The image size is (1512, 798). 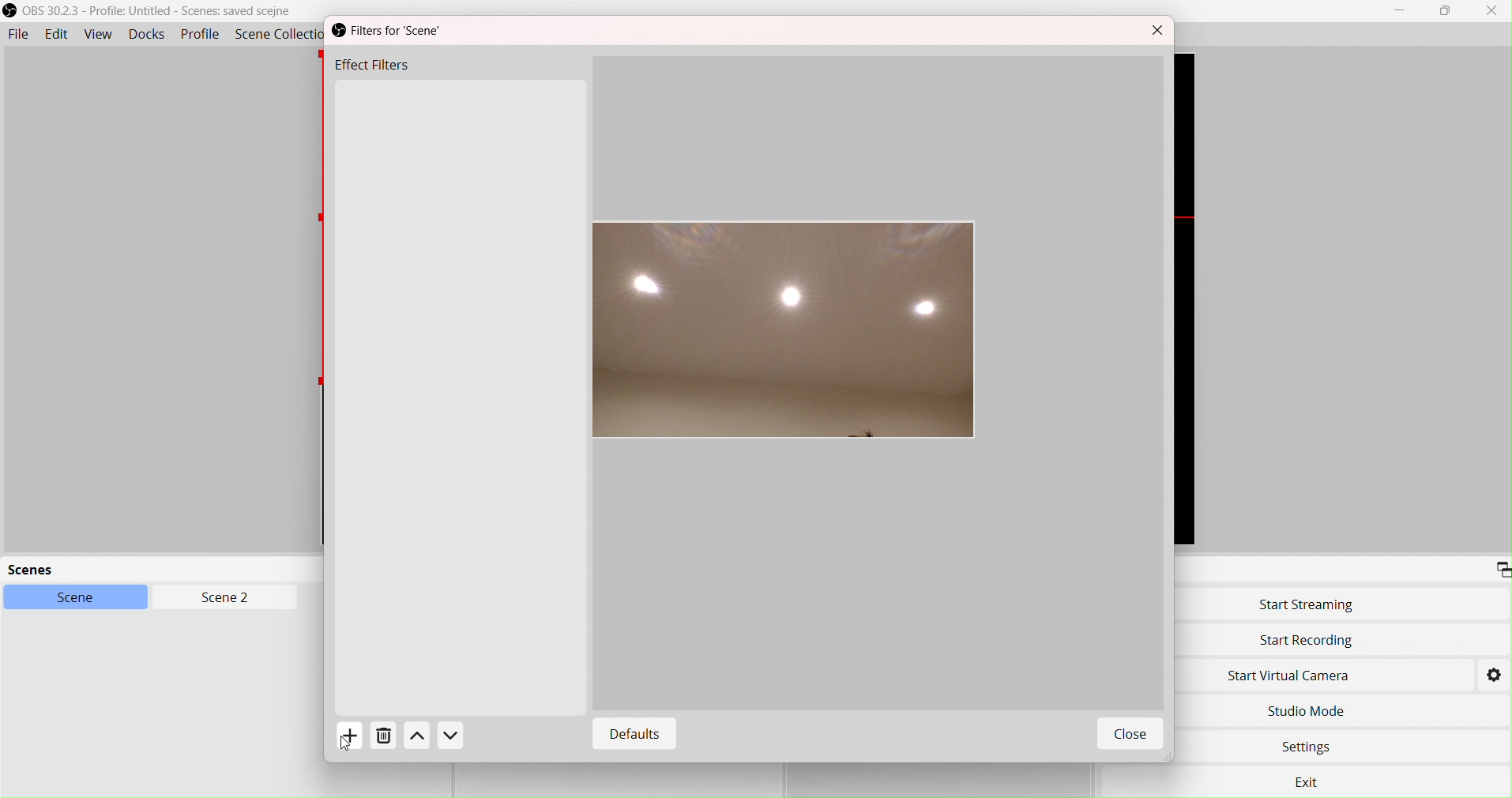 I want to click on Add, so click(x=355, y=740).